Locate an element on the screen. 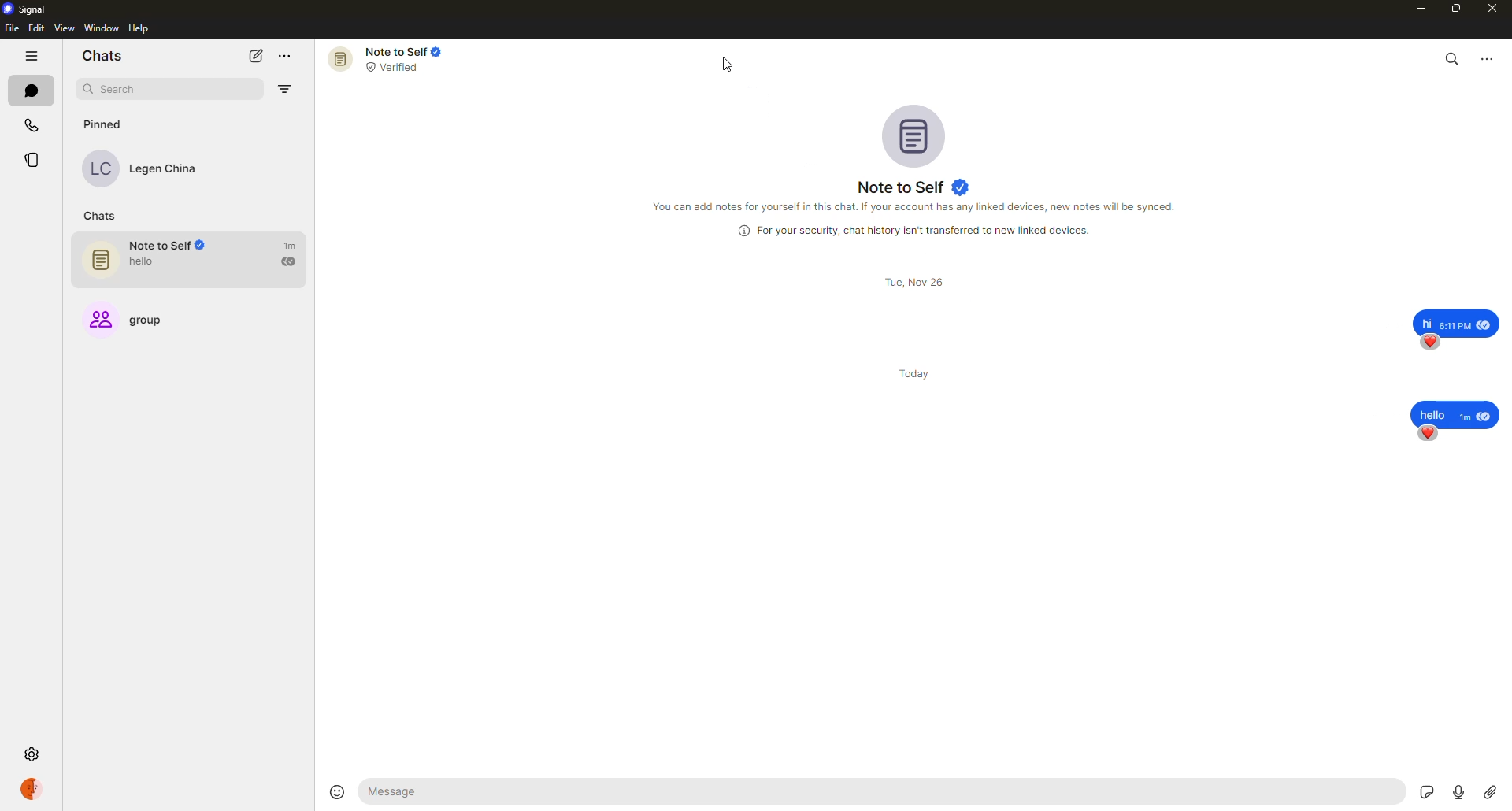 This screenshot has width=1512, height=811. message is located at coordinates (496, 792).